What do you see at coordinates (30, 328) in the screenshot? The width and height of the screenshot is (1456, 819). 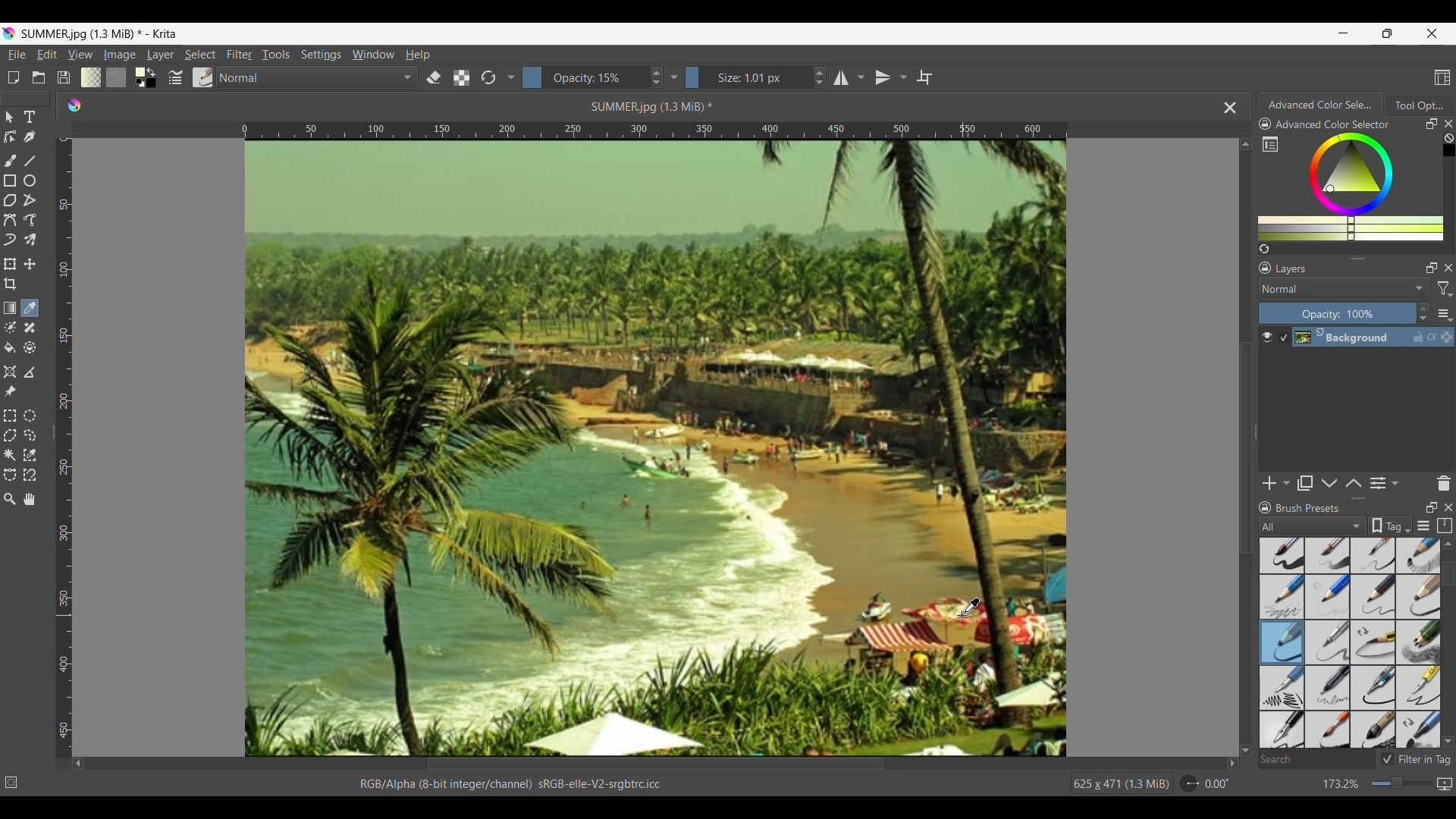 I see `Smart patch tool` at bounding box center [30, 328].